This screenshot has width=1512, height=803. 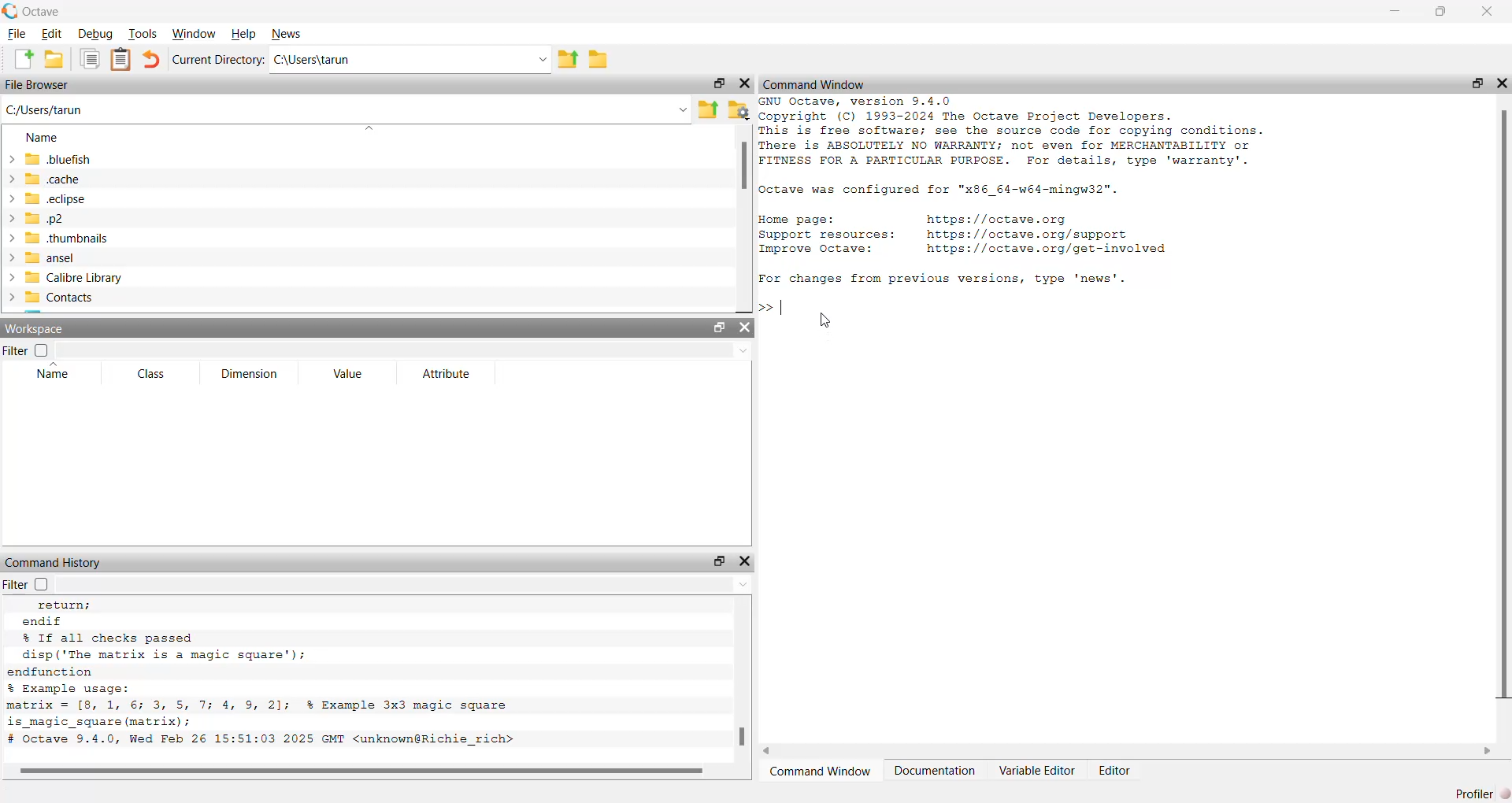 What do you see at coordinates (91, 60) in the screenshot?
I see `Duplicate` at bounding box center [91, 60].